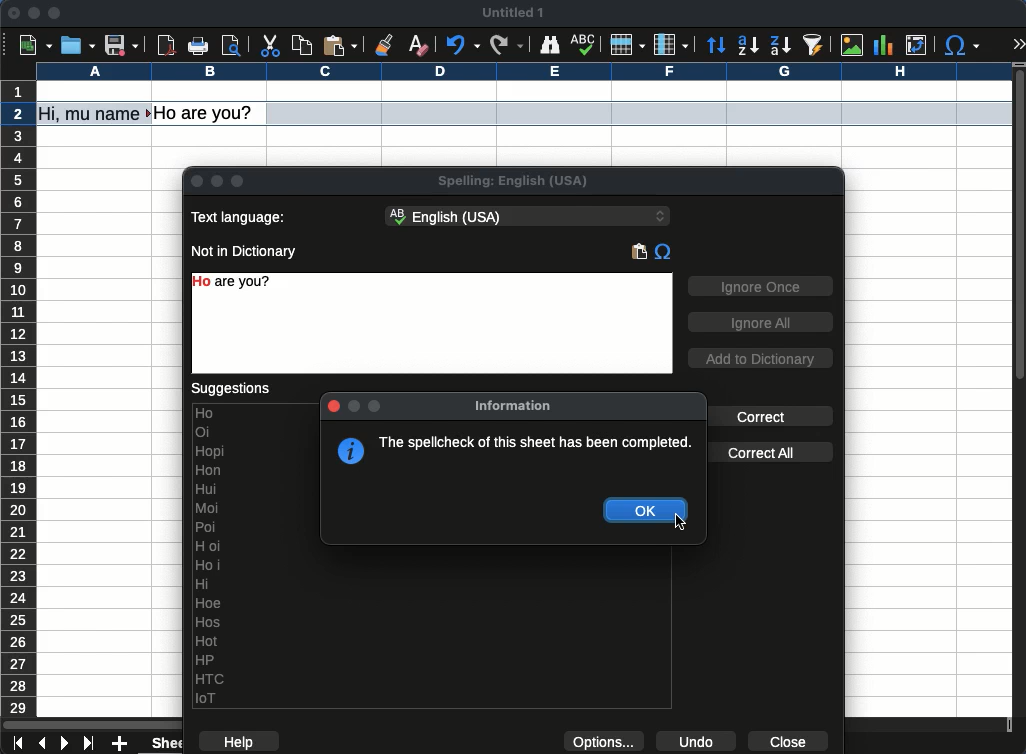 Image resolution: width=1026 pixels, height=754 pixels. What do you see at coordinates (91, 744) in the screenshot?
I see `last sheet` at bounding box center [91, 744].